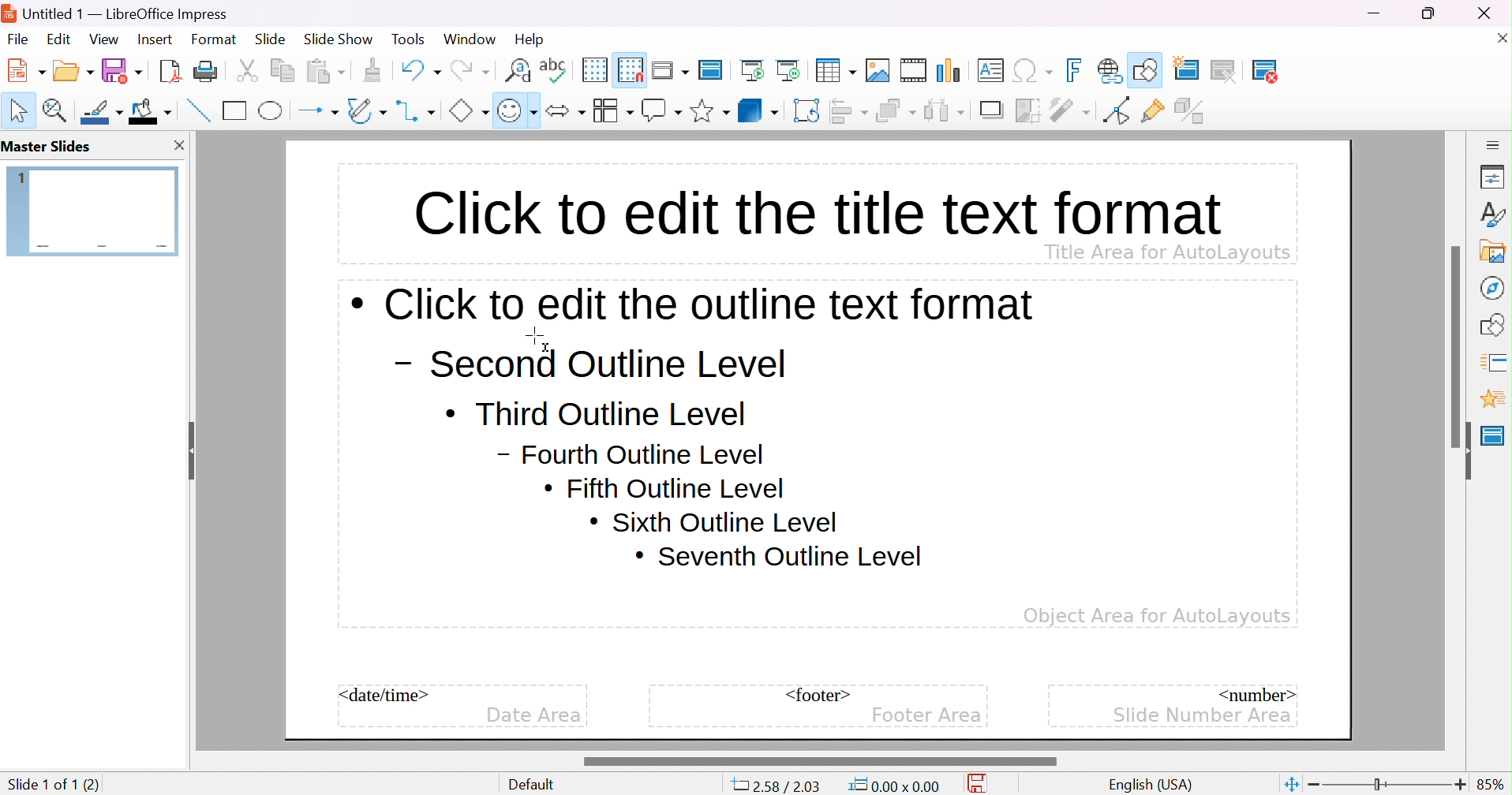 This screenshot has width=1512, height=795. Describe the element at coordinates (1166, 251) in the screenshot. I see `title area for autolayouts` at that location.